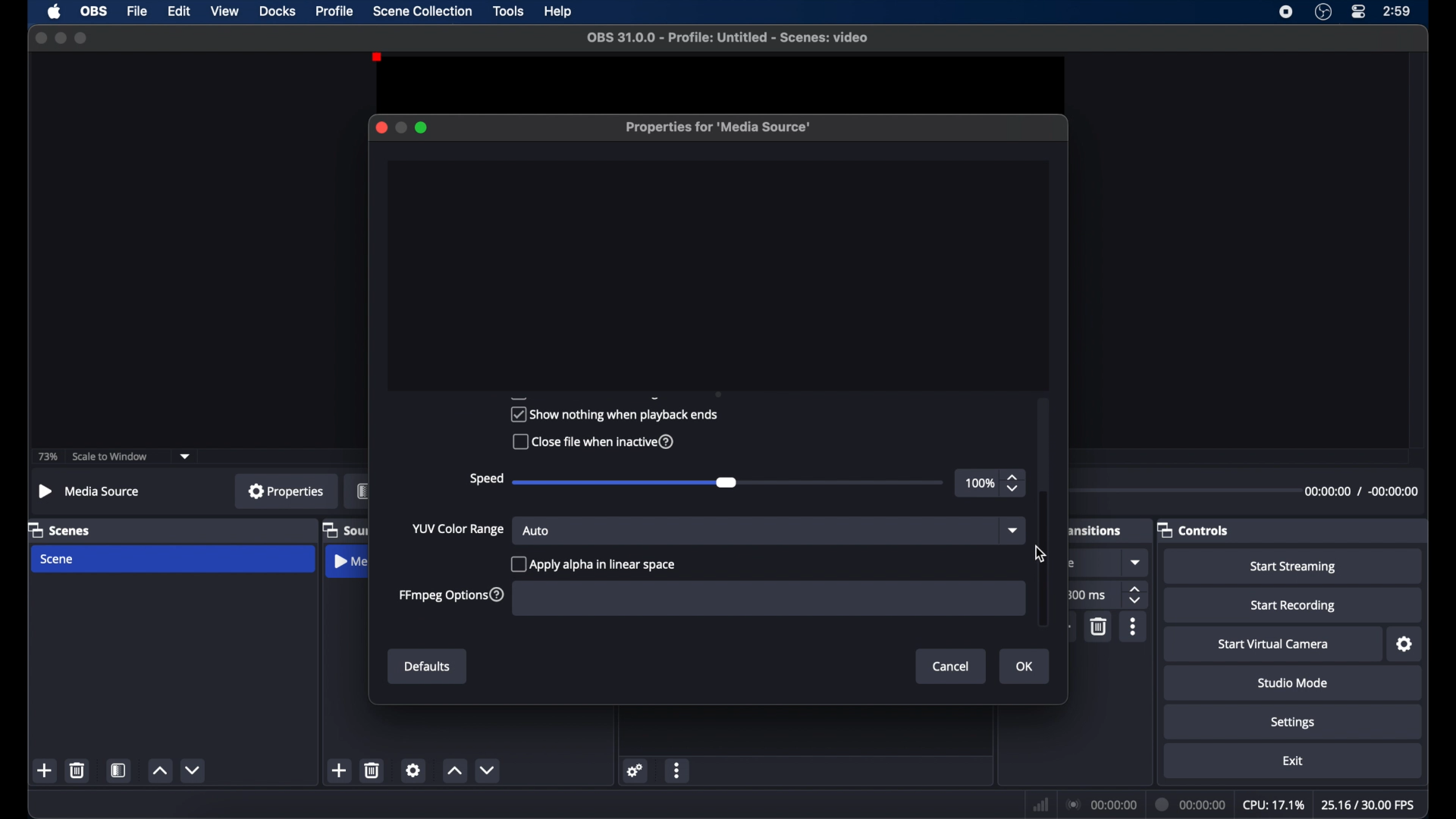 The height and width of the screenshot is (819, 1456). What do you see at coordinates (728, 483) in the screenshot?
I see `slider` at bounding box center [728, 483].